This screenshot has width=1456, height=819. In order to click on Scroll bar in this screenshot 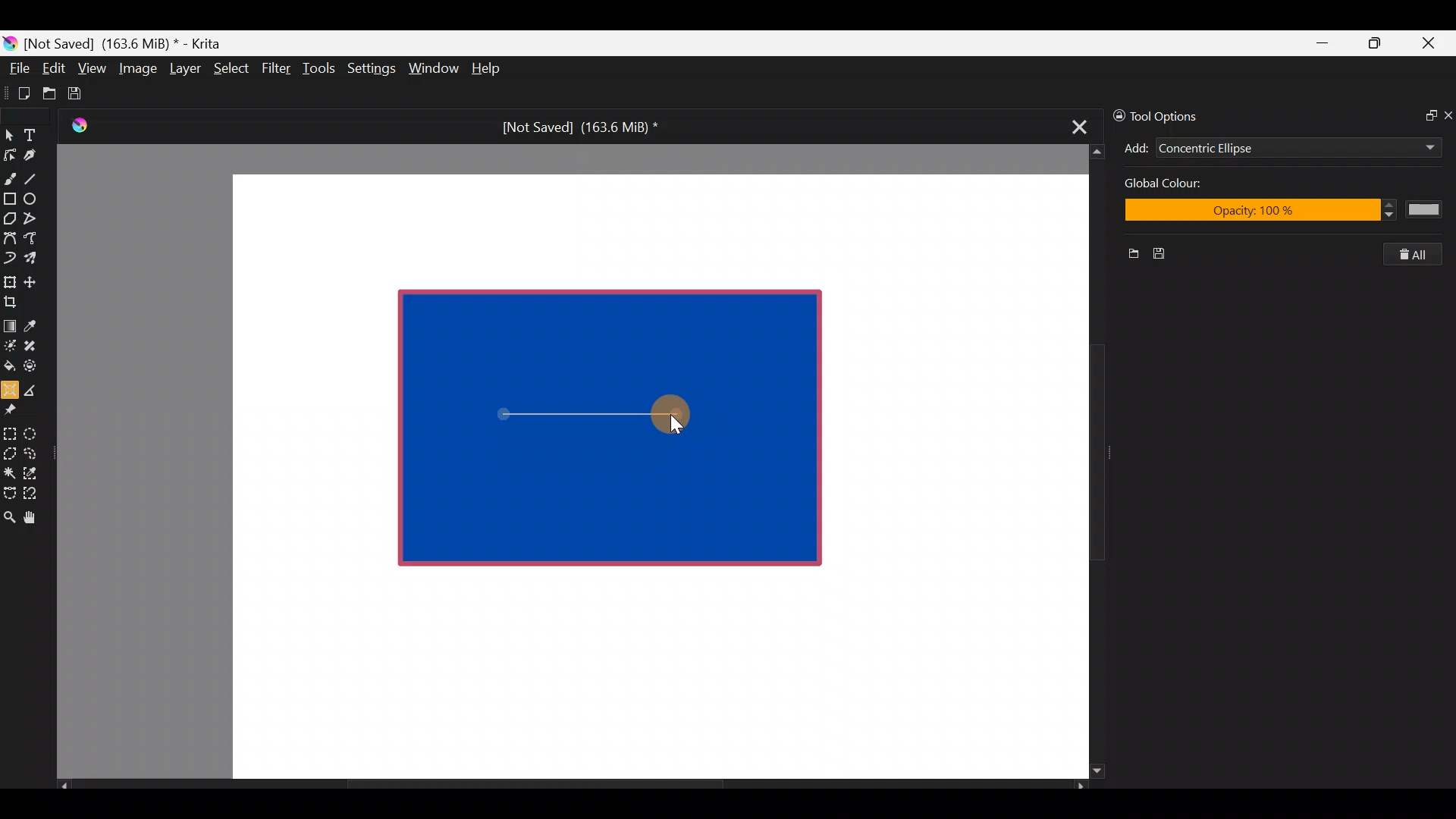, I will do `click(1086, 462)`.